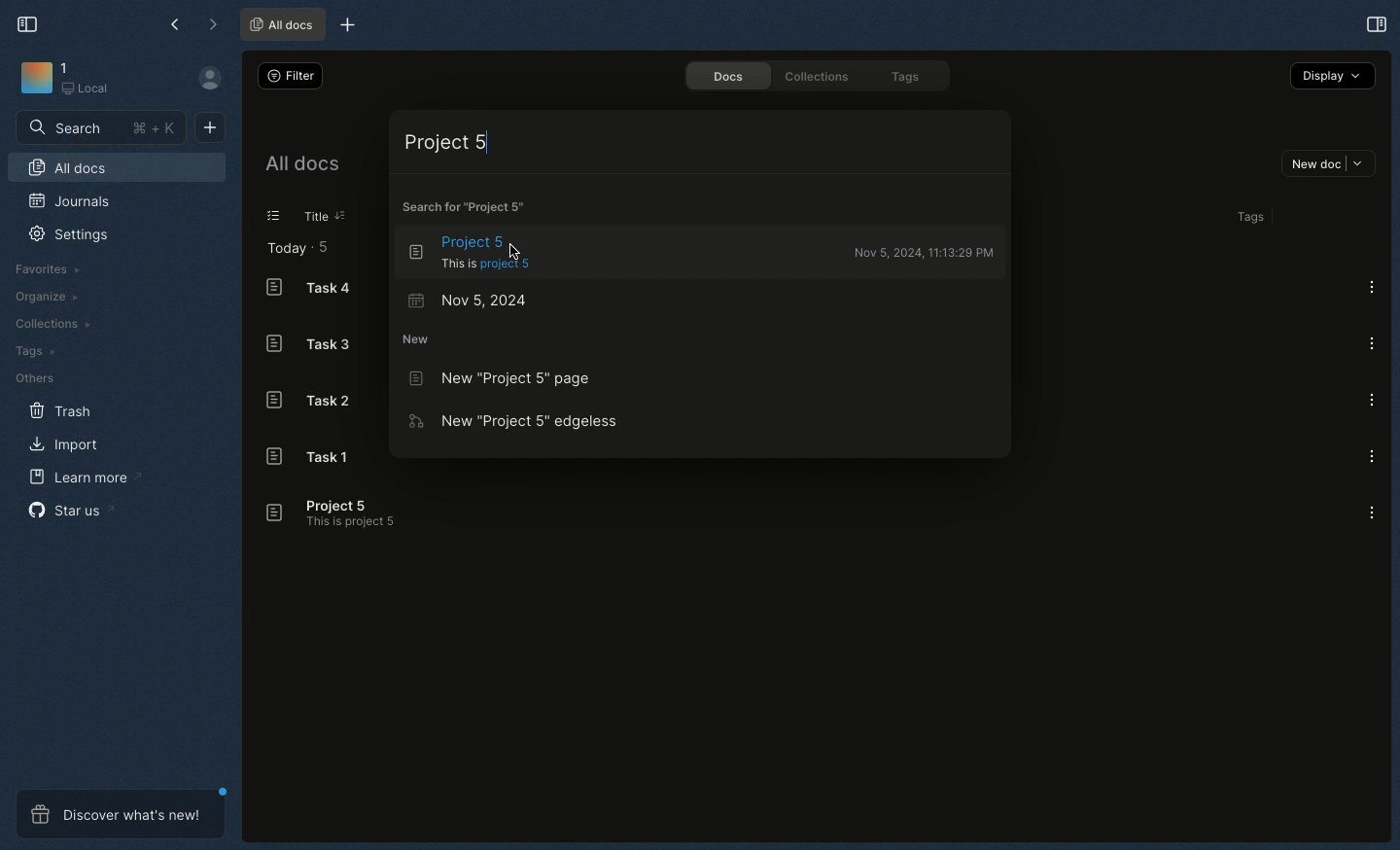 The image size is (1400, 850). What do you see at coordinates (209, 81) in the screenshot?
I see `User` at bounding box center [209, 81].